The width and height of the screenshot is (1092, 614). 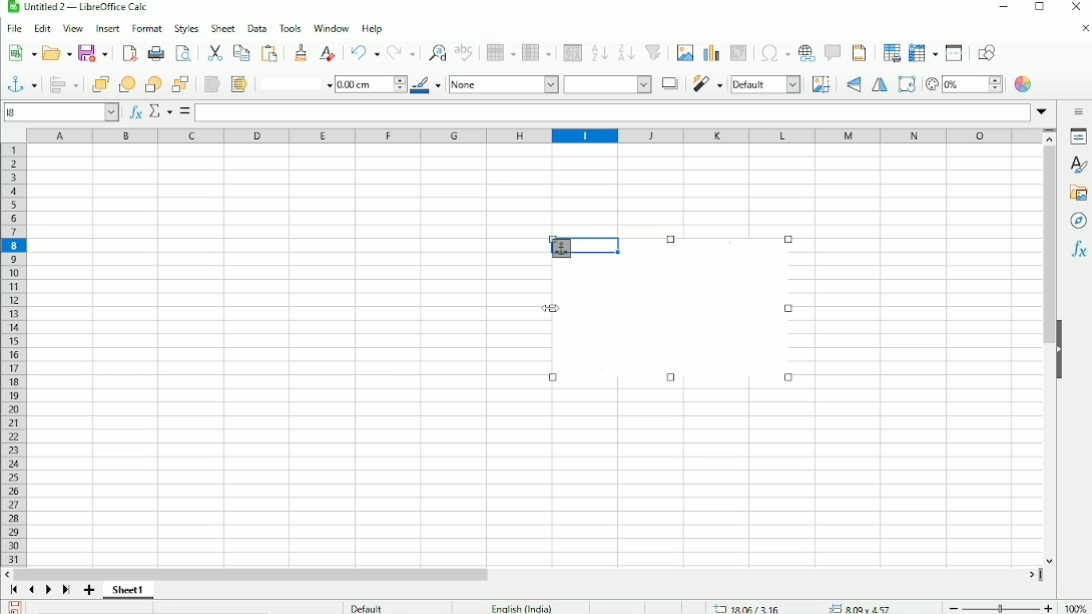 What do you see at coordinates (435, 51) in the screenshot?
I see `Find and replace` at bounding box center [435, 51].